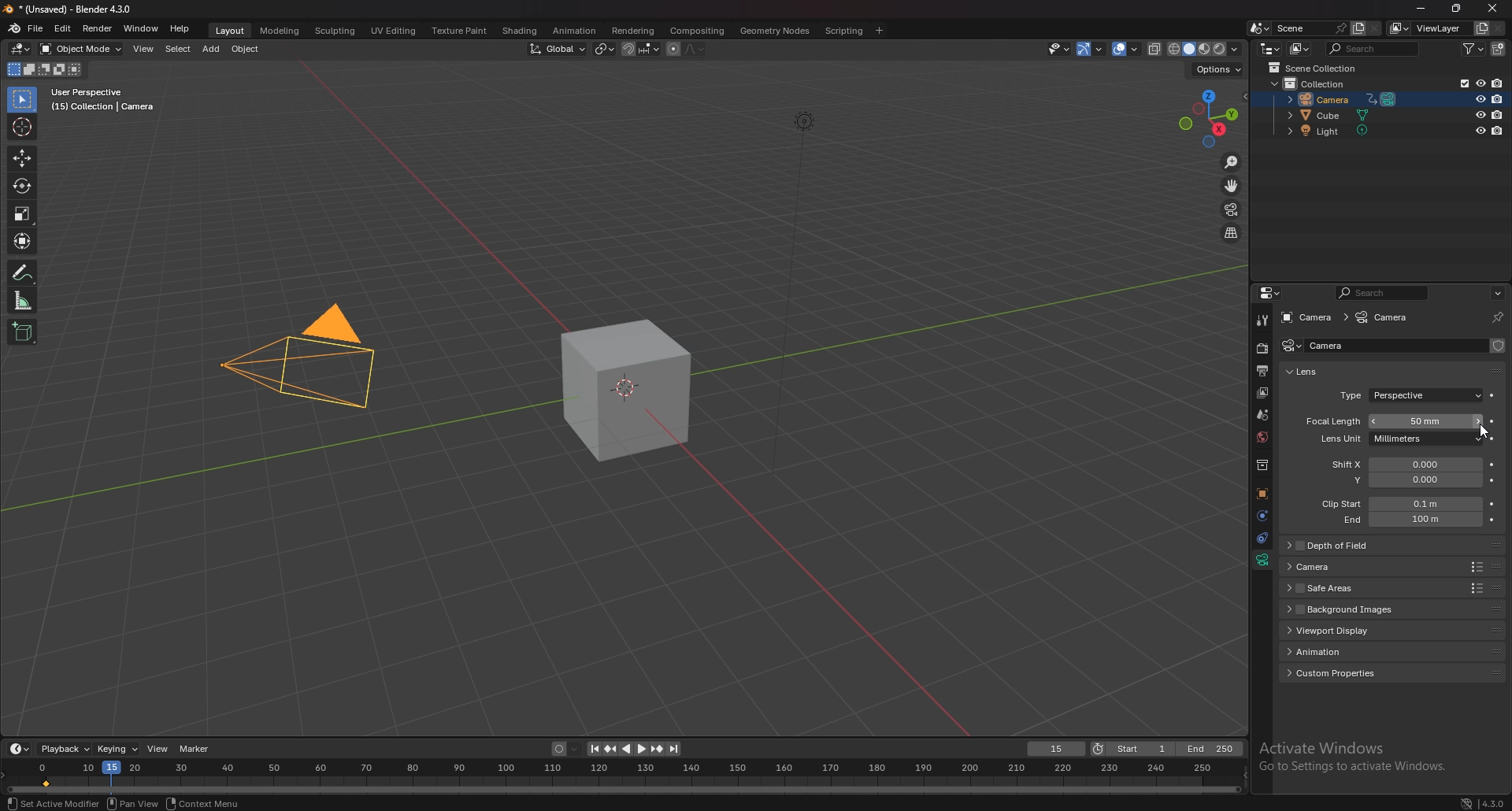 This screenshot has height=811, width=1512. I want to click on proportional editing objects, so click(670, 49).